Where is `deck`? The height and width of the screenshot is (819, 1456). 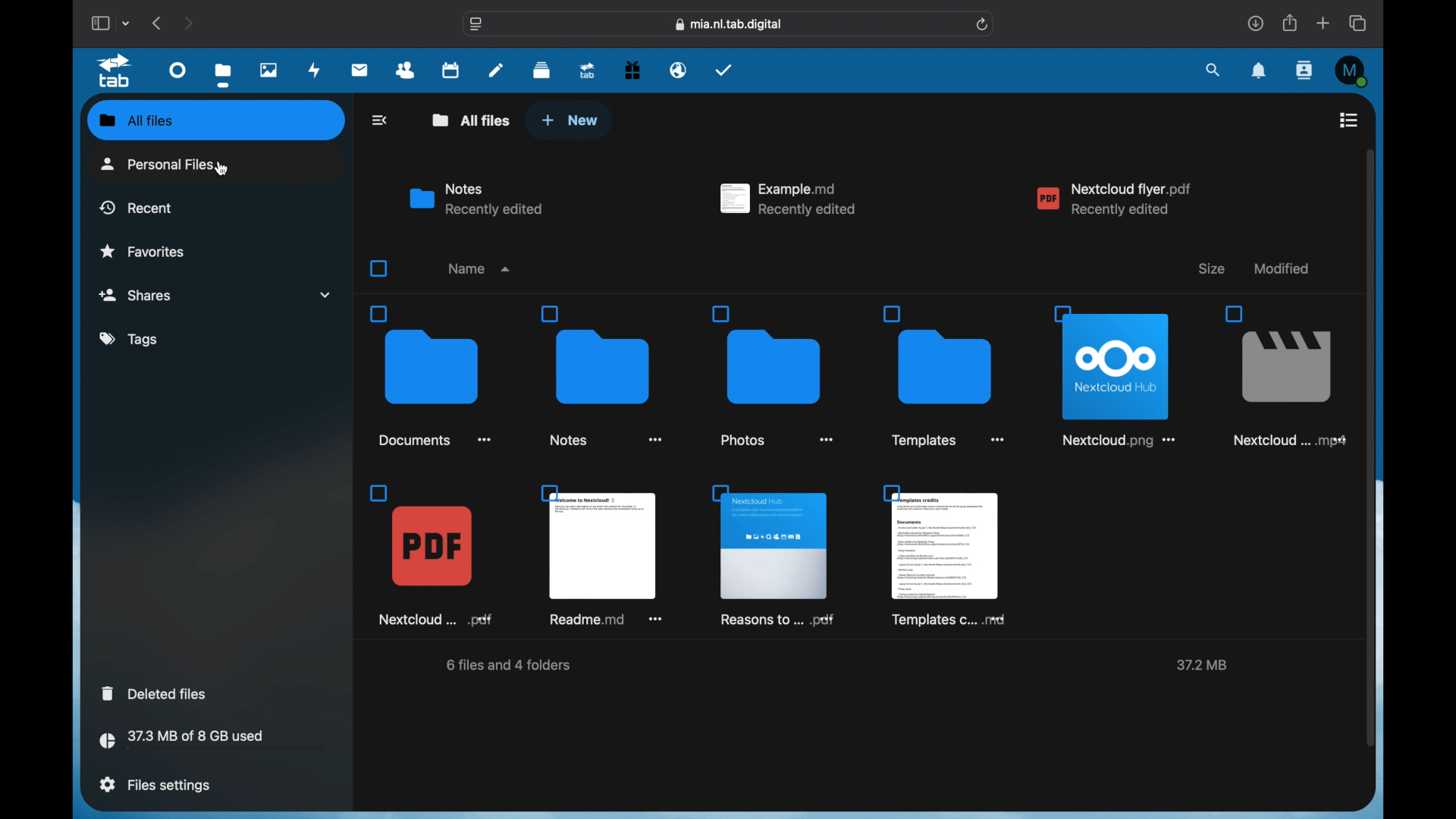
deck is located at coordinates (541, 71).